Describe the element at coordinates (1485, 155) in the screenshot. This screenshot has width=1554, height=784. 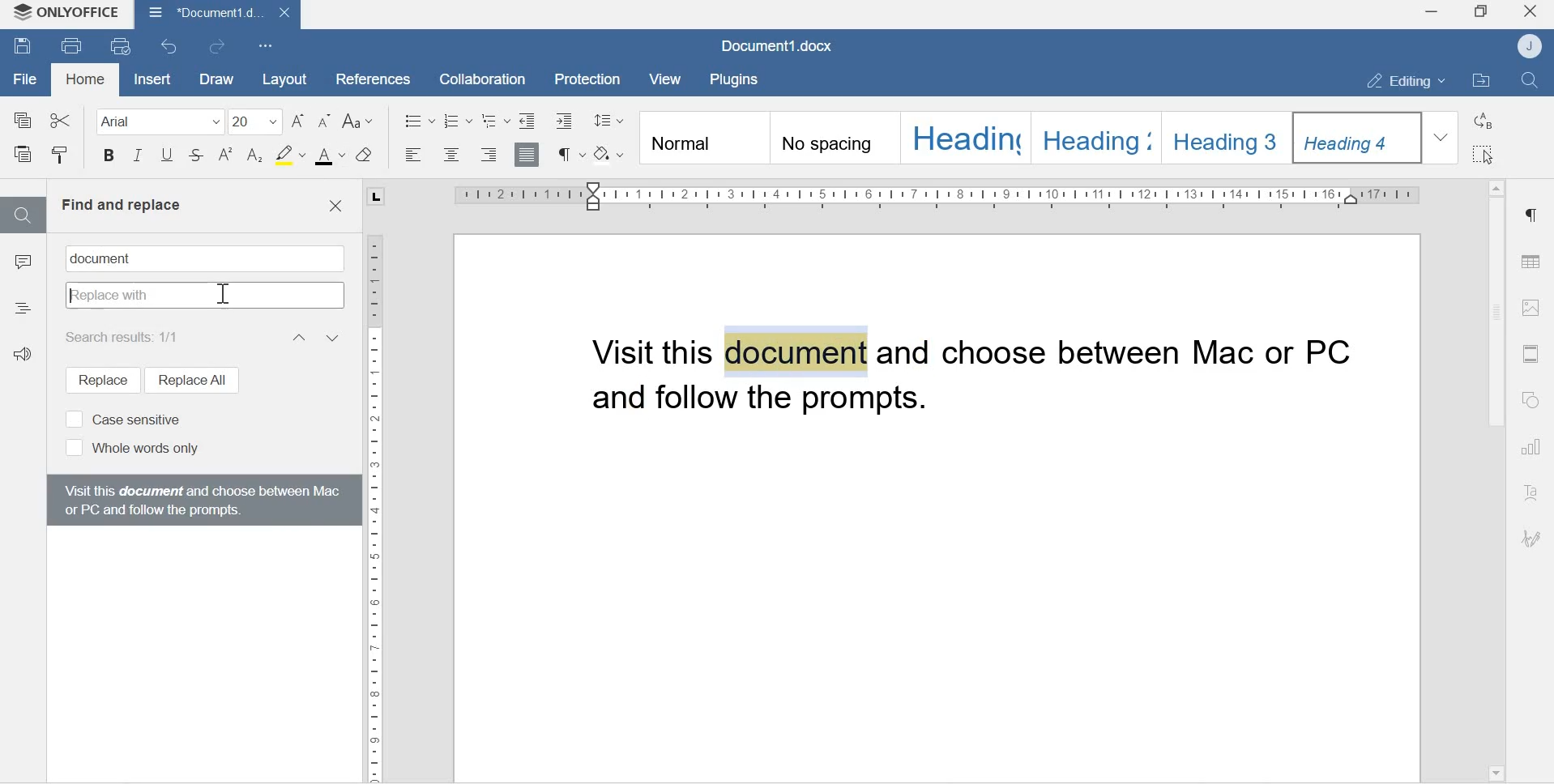
I see `Select all` at that location.